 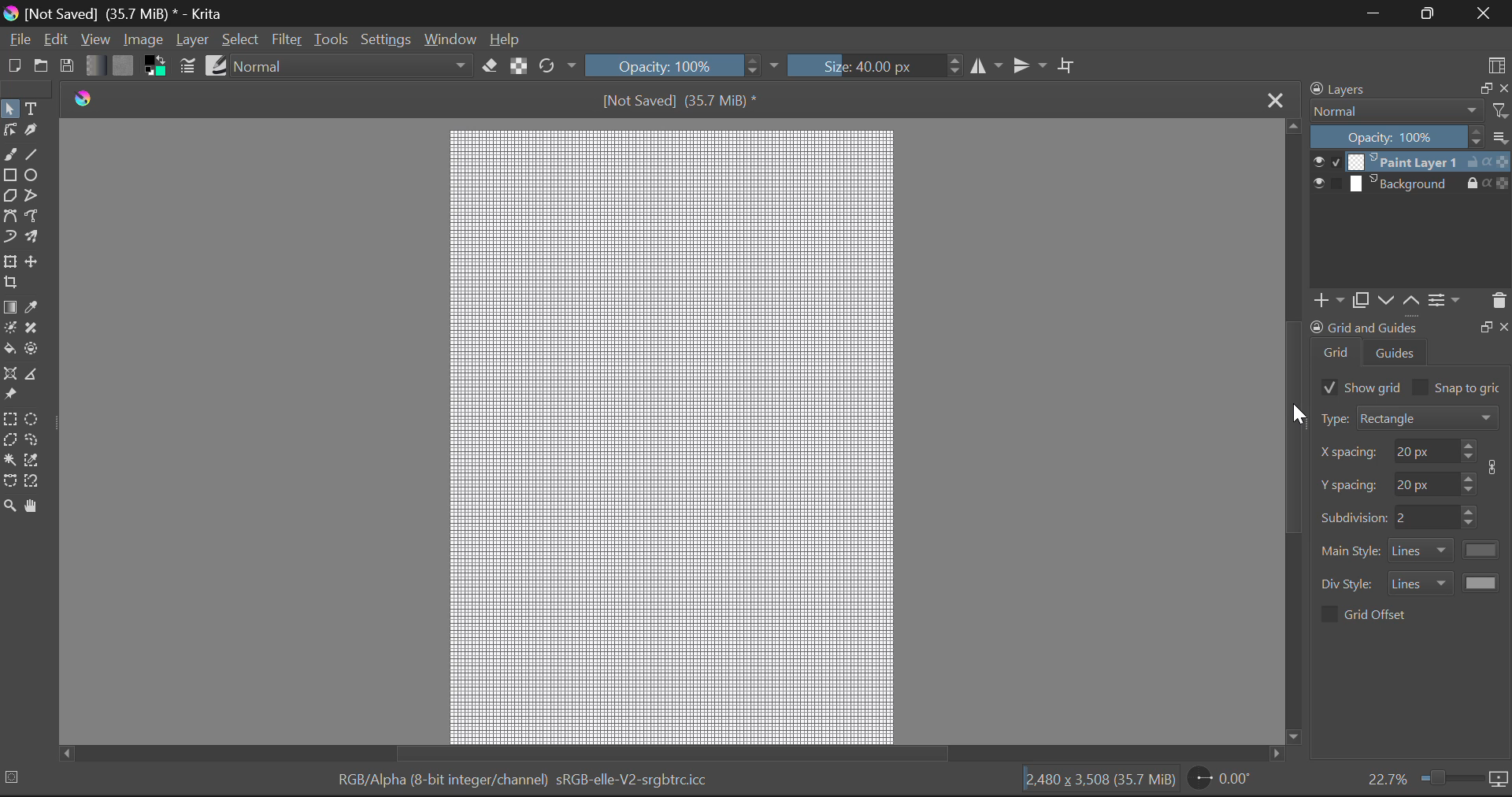 What do you see at coordinates (156, 66) in the screenshot?
I see `Colors in use` at bounding box center [156, 66].